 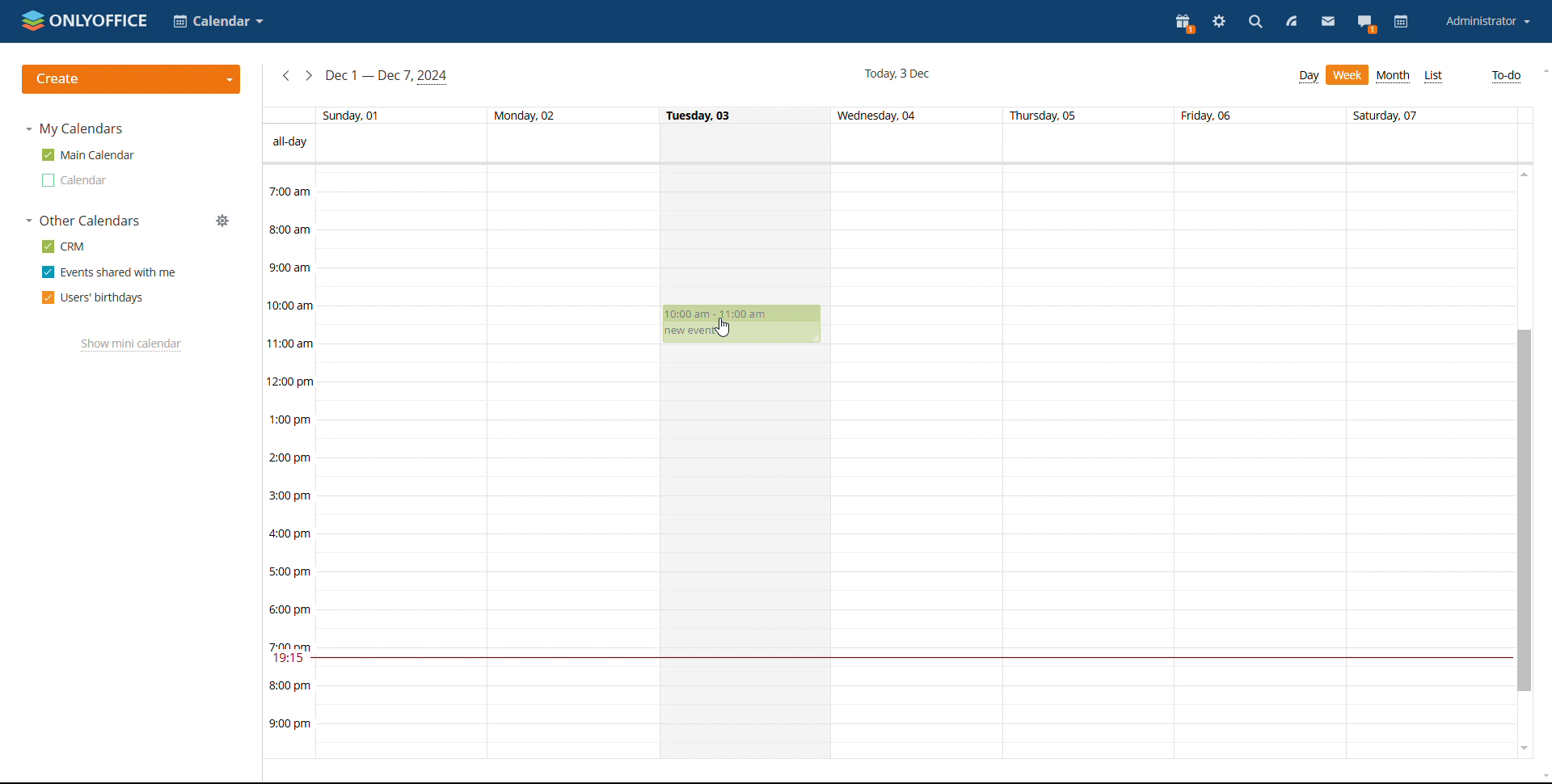 What do you see at coordinates (701, 114) in the screenshot?
I see `Tuesday, 03` at bounding box center [701, 114].